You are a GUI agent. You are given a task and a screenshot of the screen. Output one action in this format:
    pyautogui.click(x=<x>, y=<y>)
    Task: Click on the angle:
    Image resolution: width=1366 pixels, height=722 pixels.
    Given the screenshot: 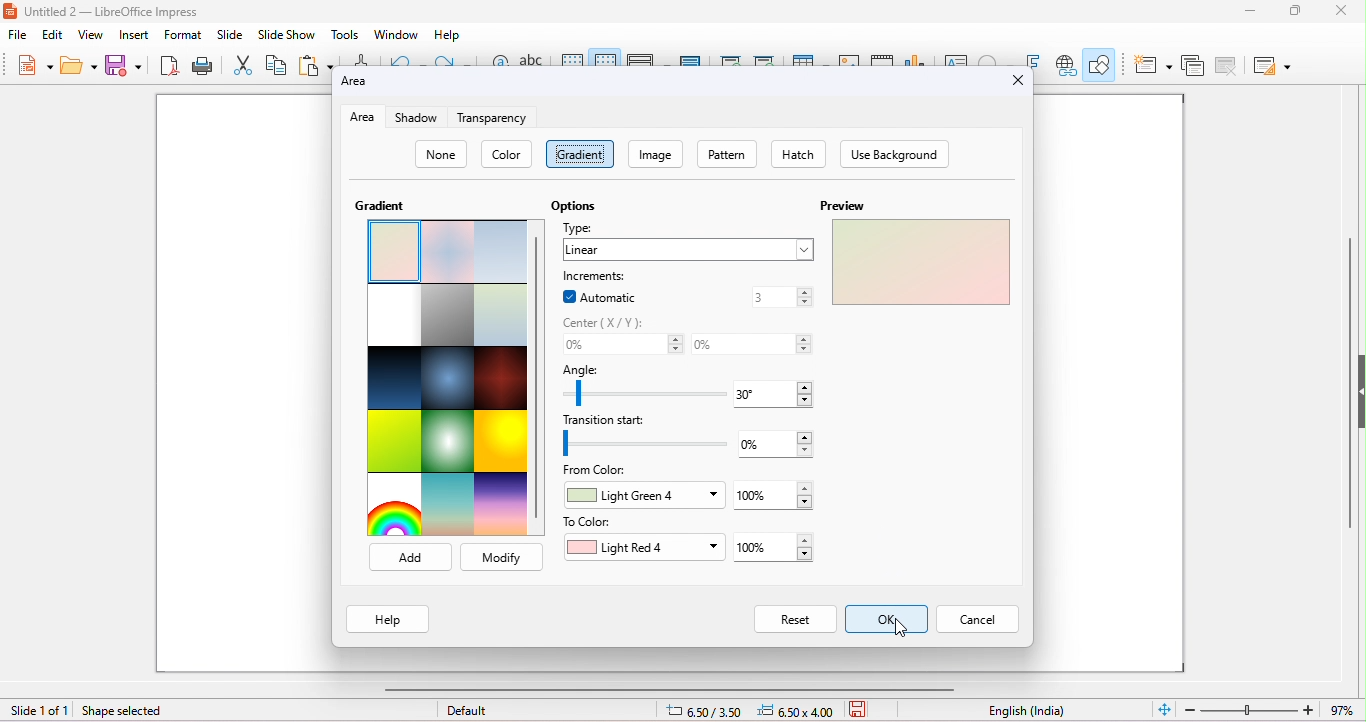 What is the action you would take?
    pyautogui.click(x=585, y=369)
    